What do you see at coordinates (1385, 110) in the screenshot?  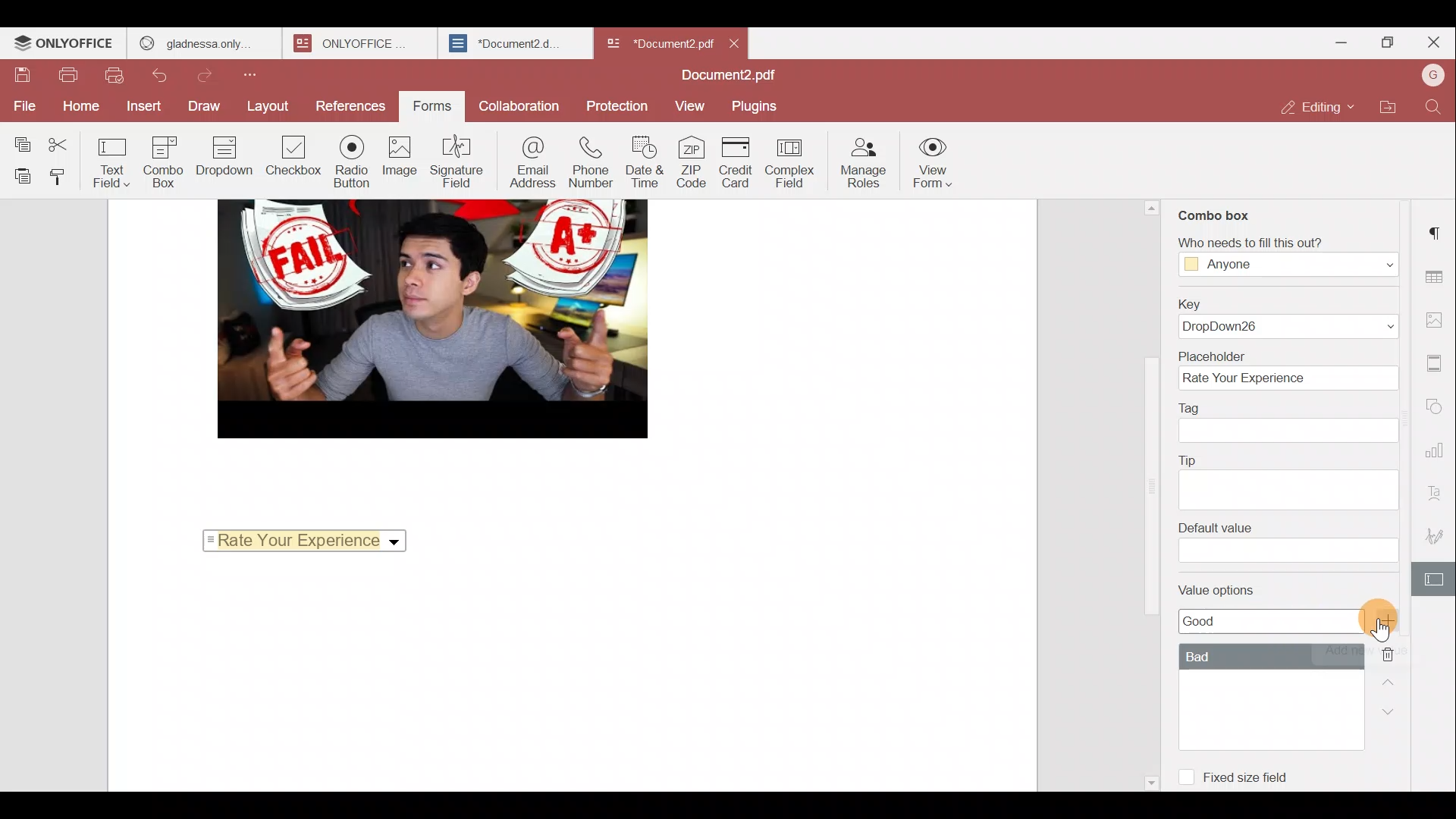 I see `Open file location` at bounding box center [1385, 110].